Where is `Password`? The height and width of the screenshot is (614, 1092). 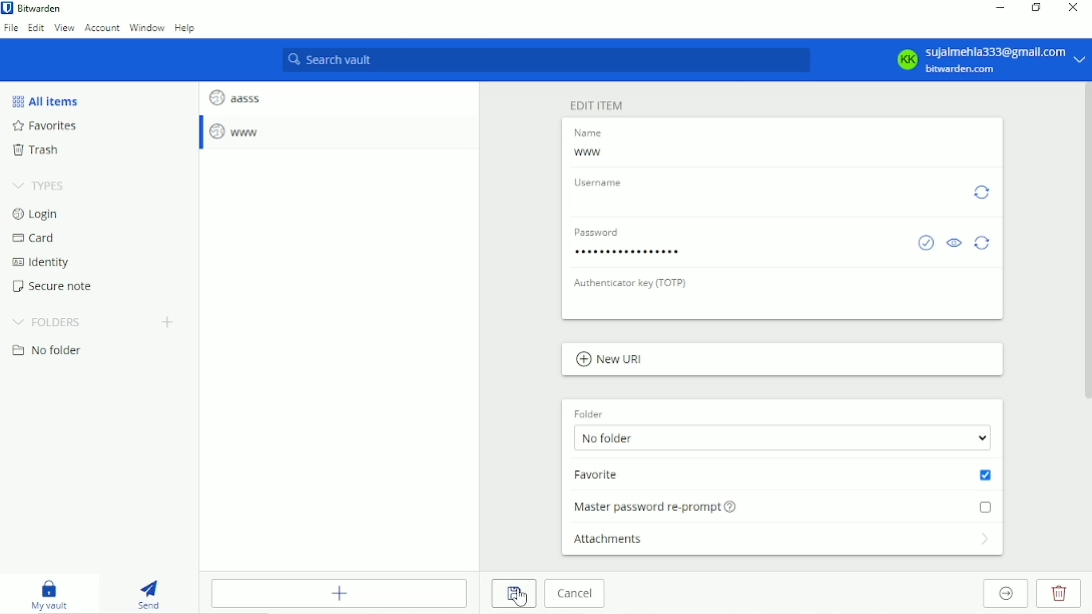
Password is located at coordinates (630, 254).